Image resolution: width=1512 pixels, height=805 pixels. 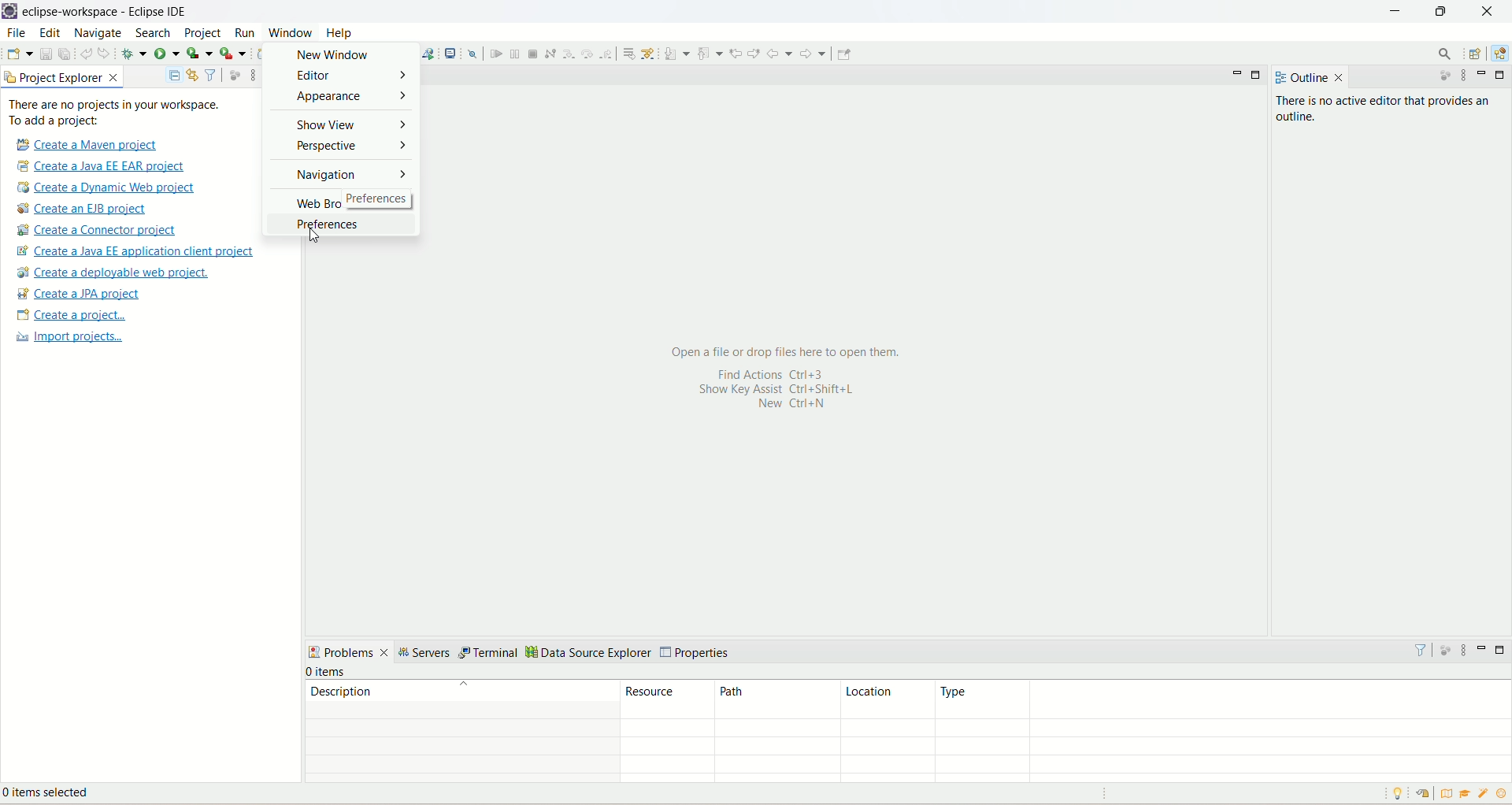 What do you see at coordinates (107, 188) in the screenshot?
I see `create a Dynamic web project` at bounding box center [107, 188].